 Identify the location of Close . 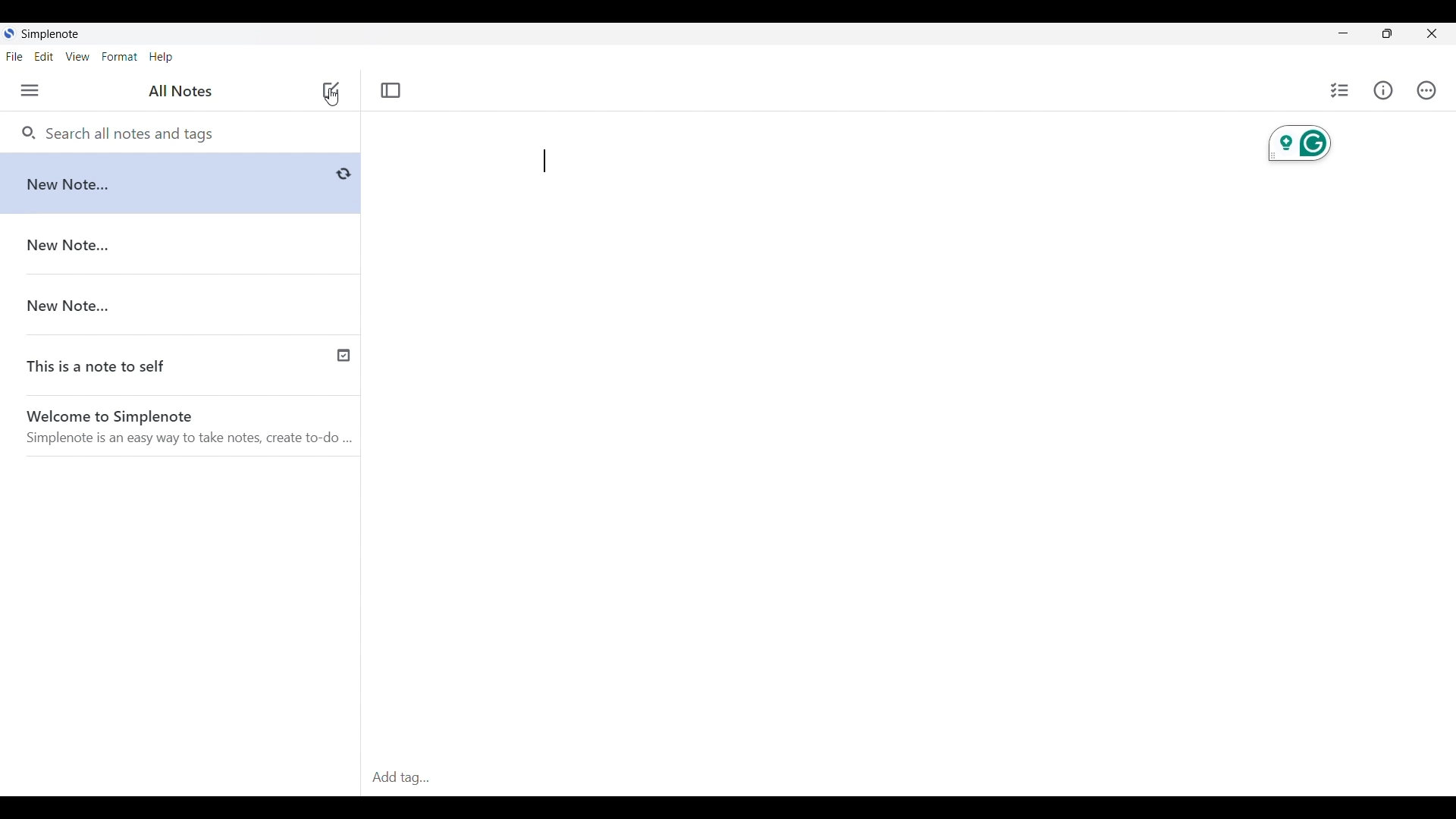
(1431, 33).